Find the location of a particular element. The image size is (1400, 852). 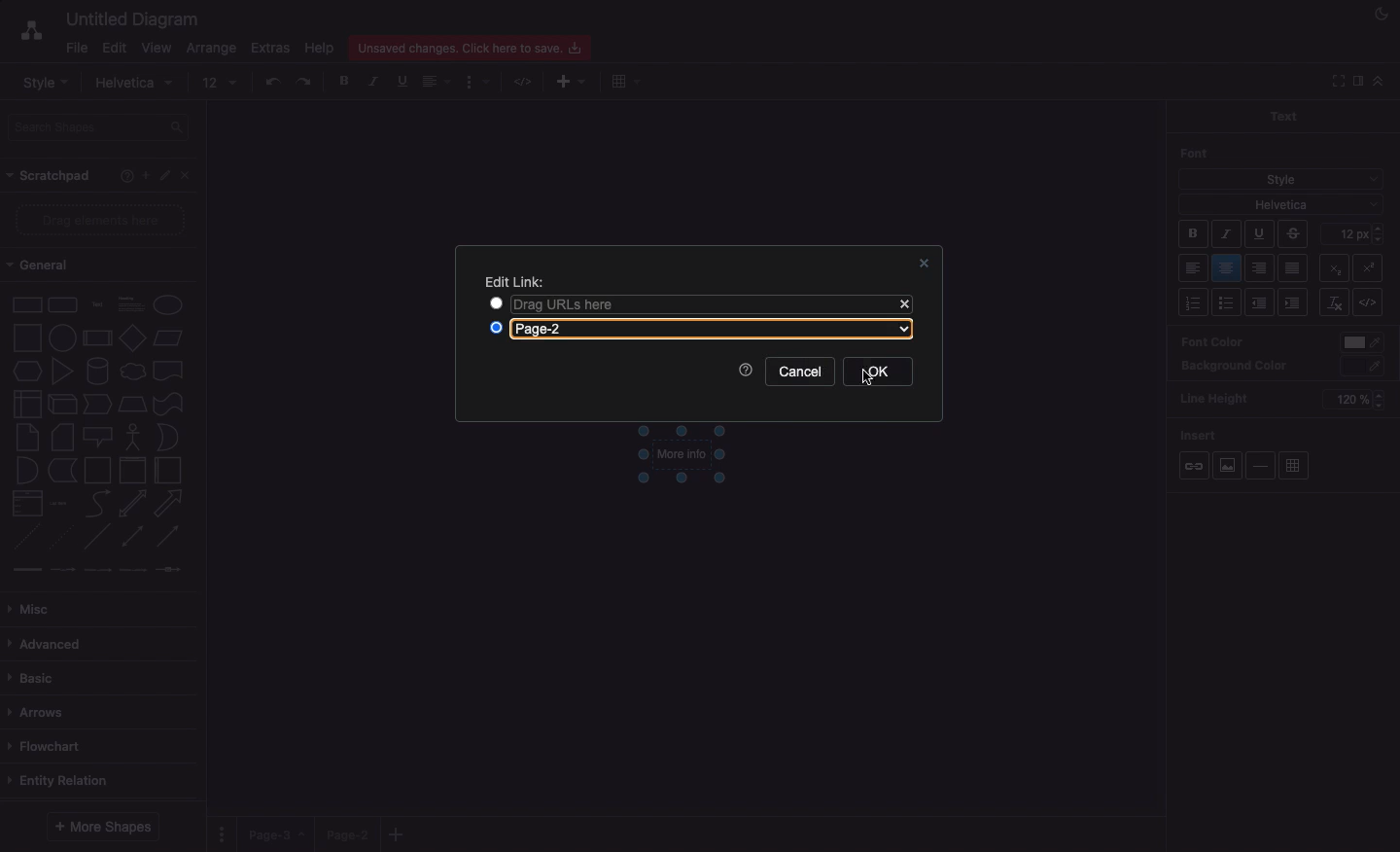

Text is located at coordinates (1282, 115).